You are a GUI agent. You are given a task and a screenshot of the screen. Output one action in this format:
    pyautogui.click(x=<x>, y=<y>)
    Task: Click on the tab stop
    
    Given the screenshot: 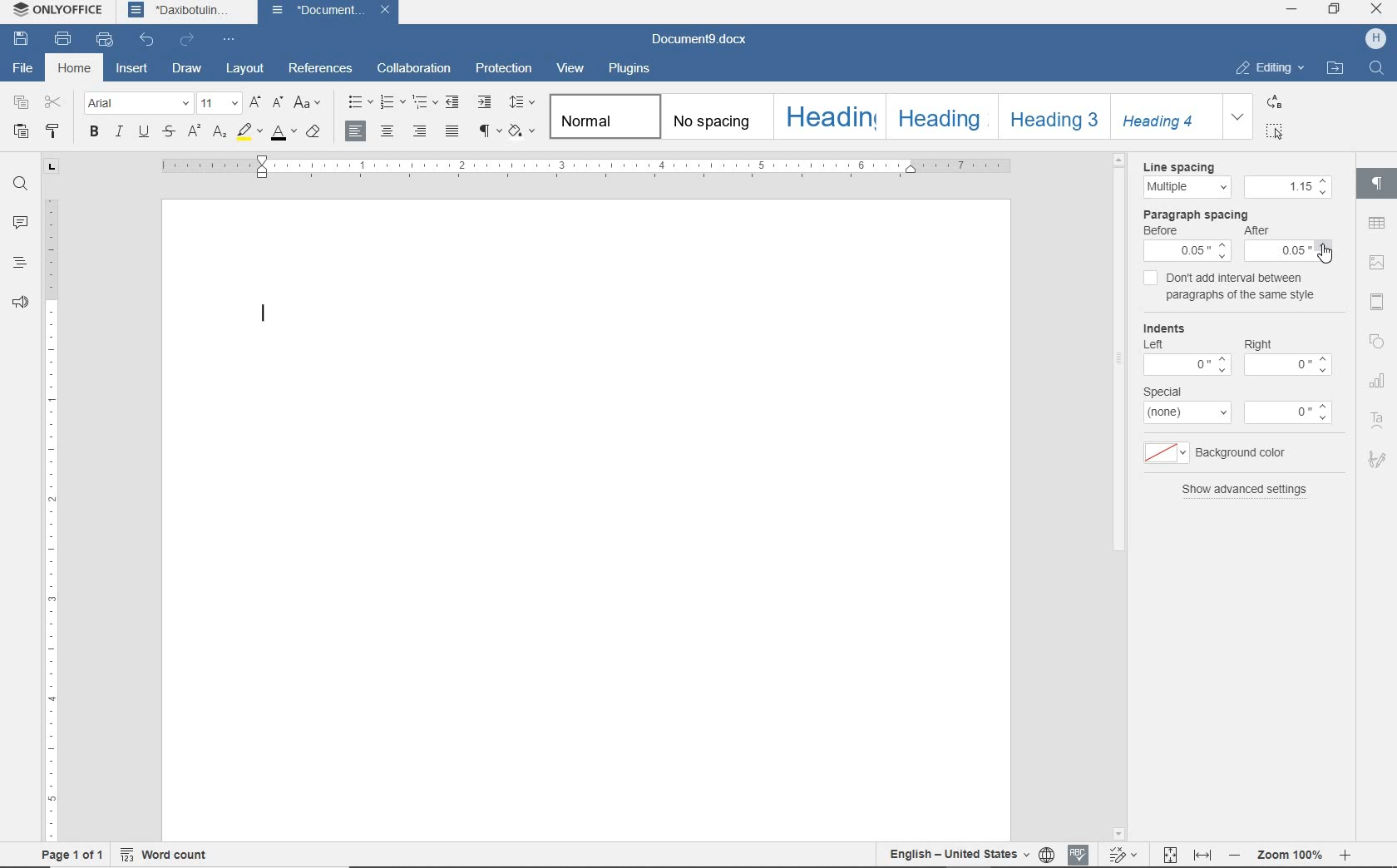 What is the action you would take?
    pyautogui.click(x=50, y=167)
    